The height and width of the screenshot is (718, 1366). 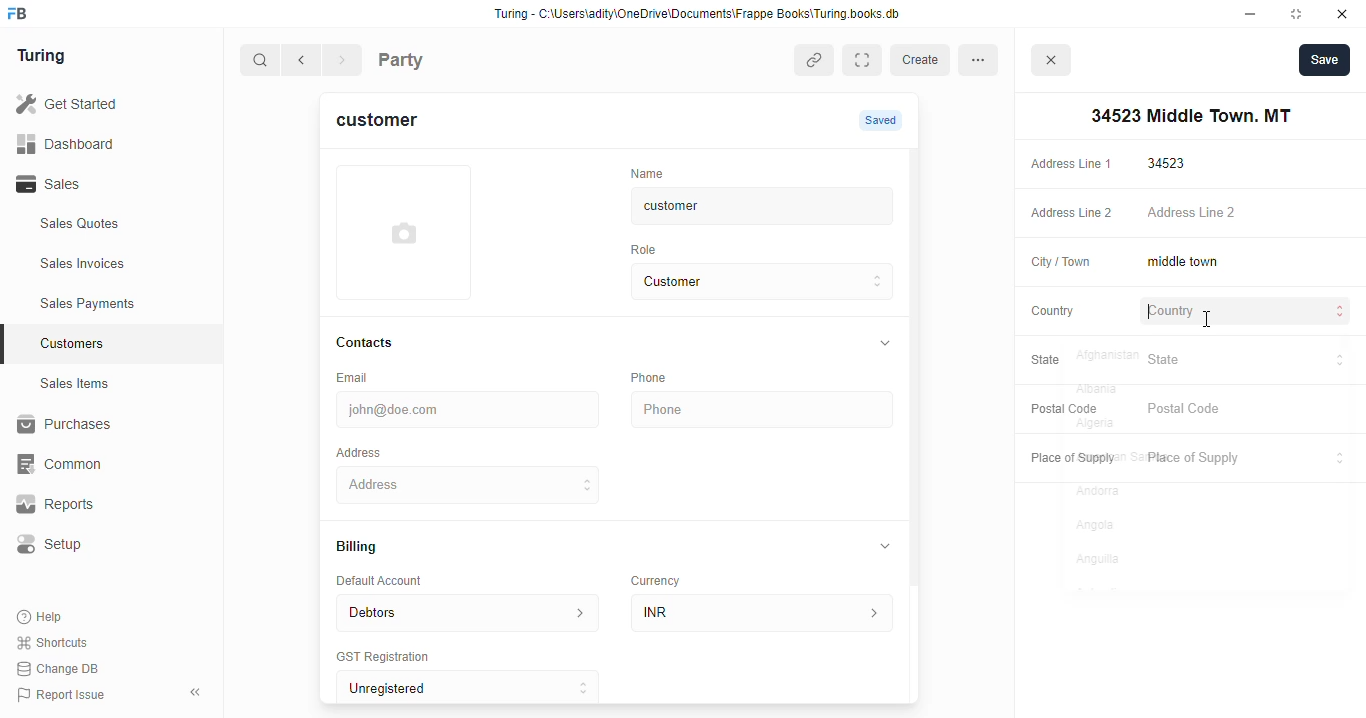 What do you see at coordinates (1324, 59) in the screenshot?
I see `Save` at bounding box center [1324, 59].